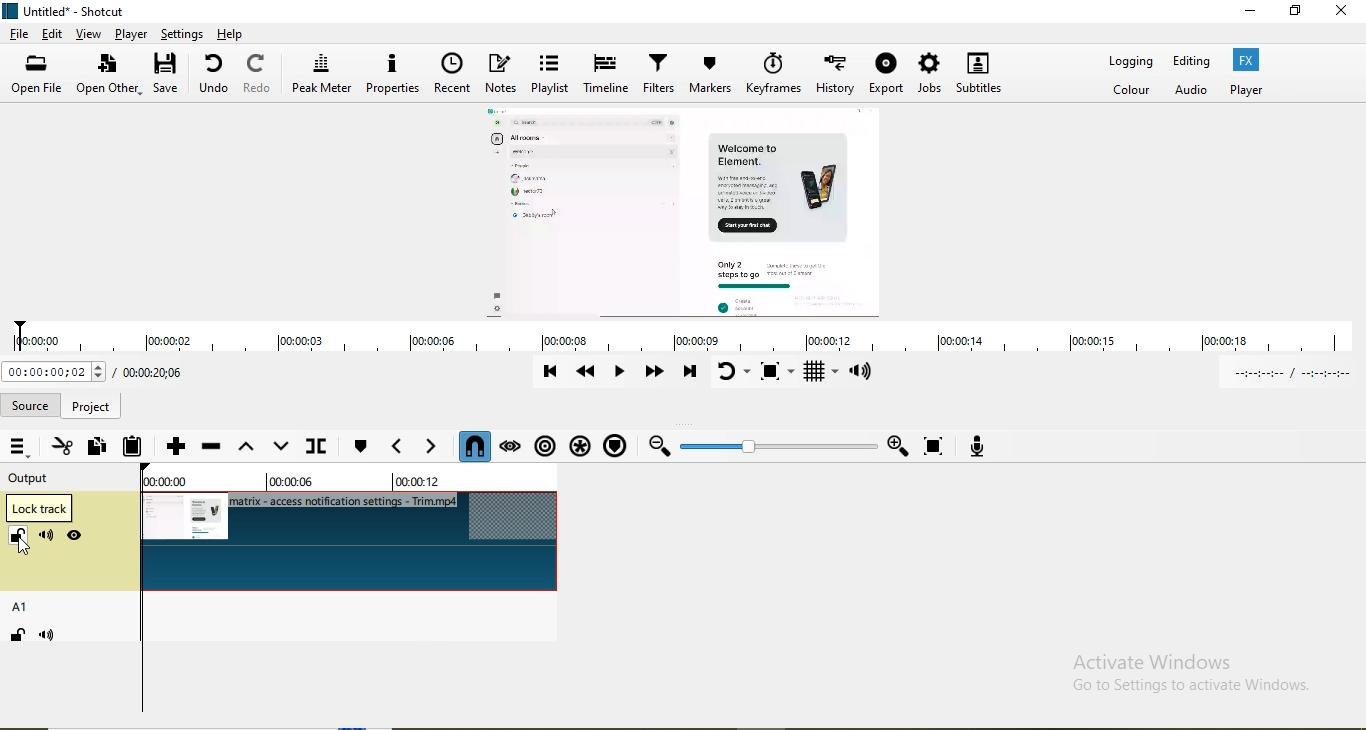 The width and height of the screenshot is (1366, 730). I want to click on Editing, so click(1195, 61).